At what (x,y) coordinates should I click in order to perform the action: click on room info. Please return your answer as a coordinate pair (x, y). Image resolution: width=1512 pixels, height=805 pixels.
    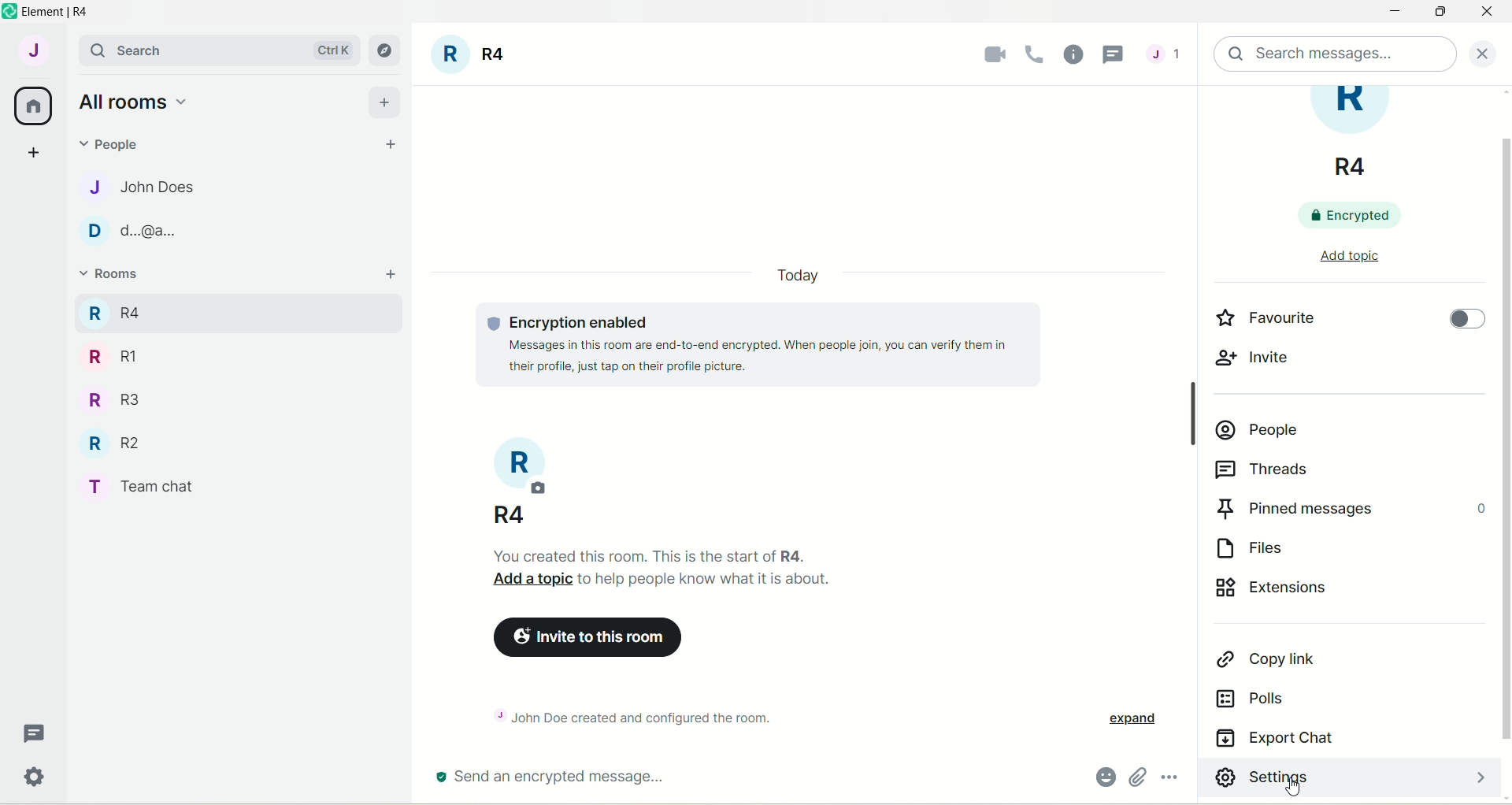
    Looking at the image, I should click on (1075, 53).